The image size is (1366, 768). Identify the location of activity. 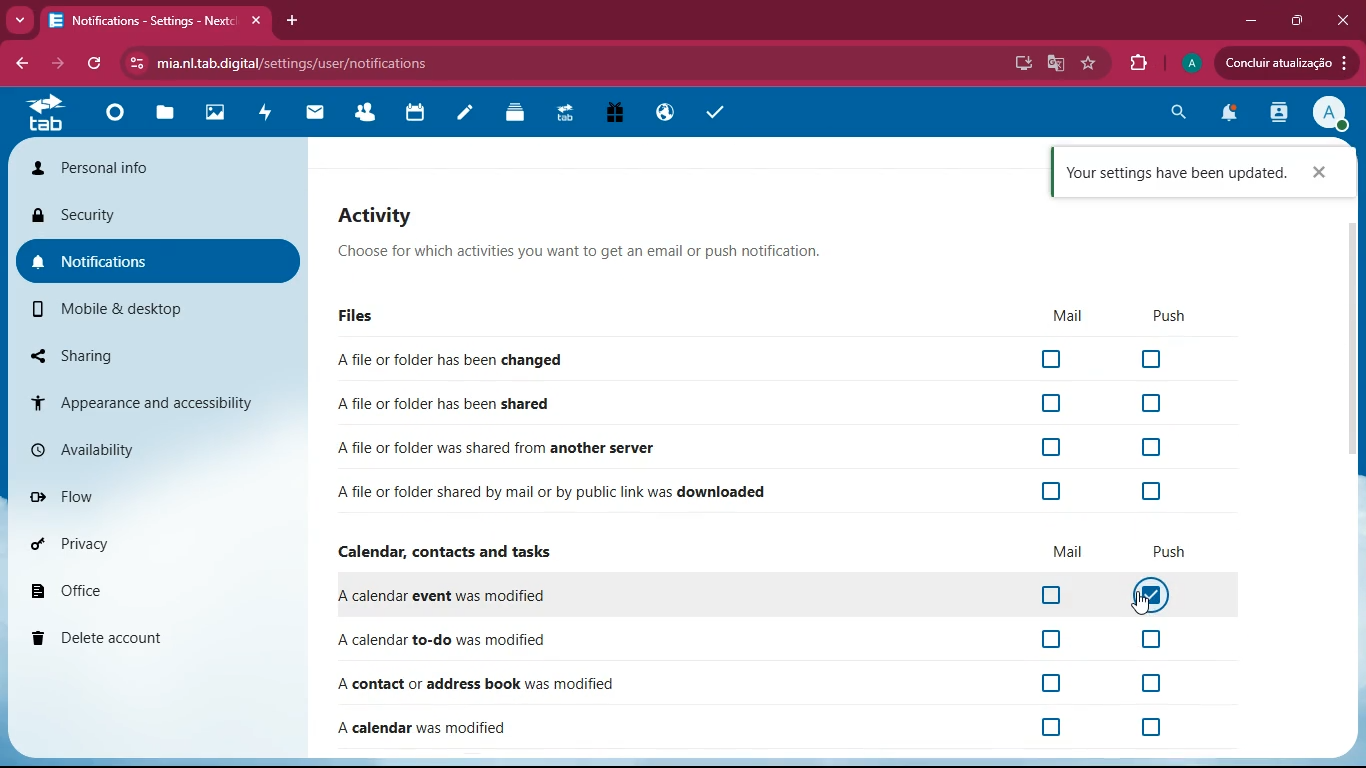
(1281, 115).